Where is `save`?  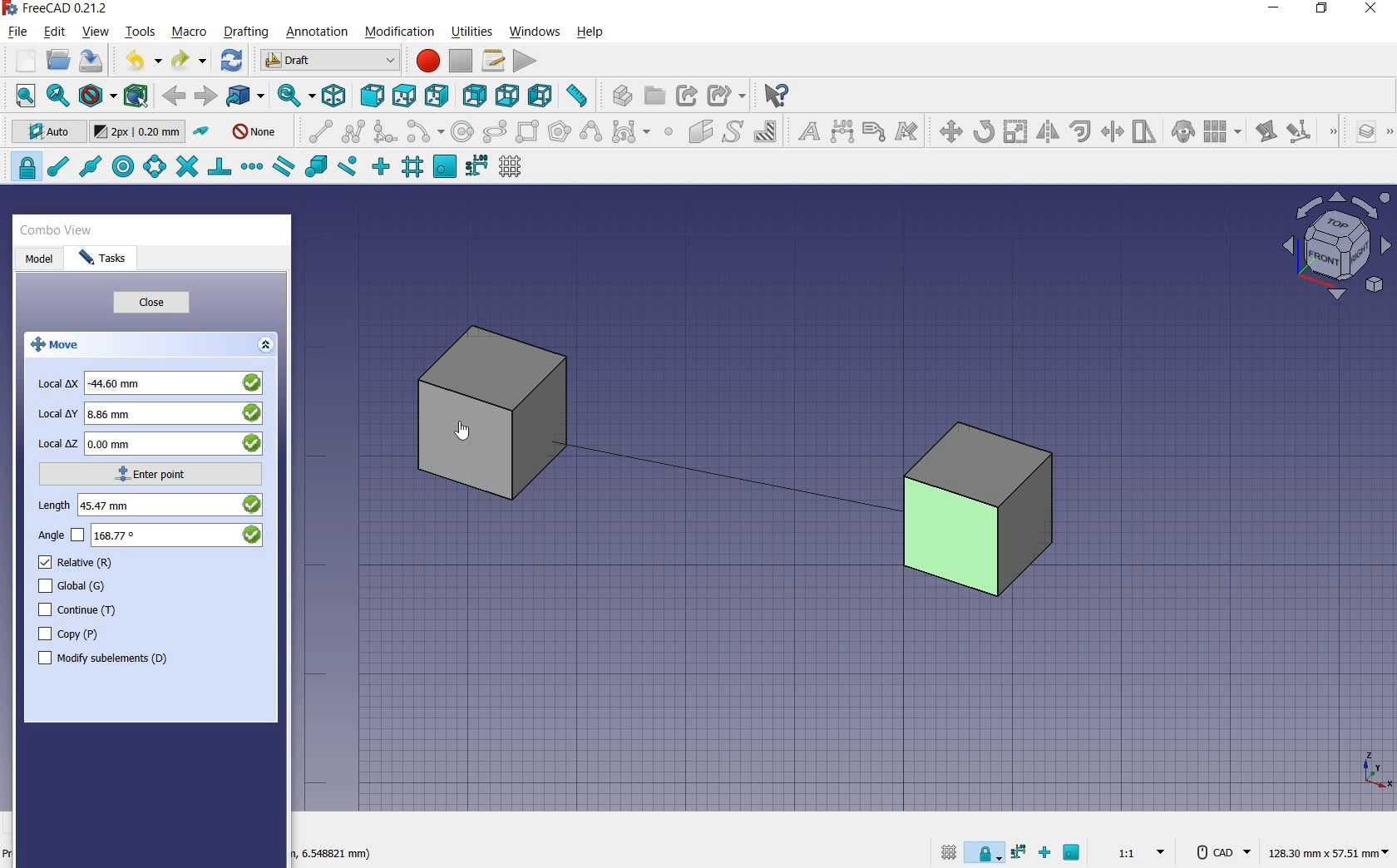 save is located at coordinates (91, 62).